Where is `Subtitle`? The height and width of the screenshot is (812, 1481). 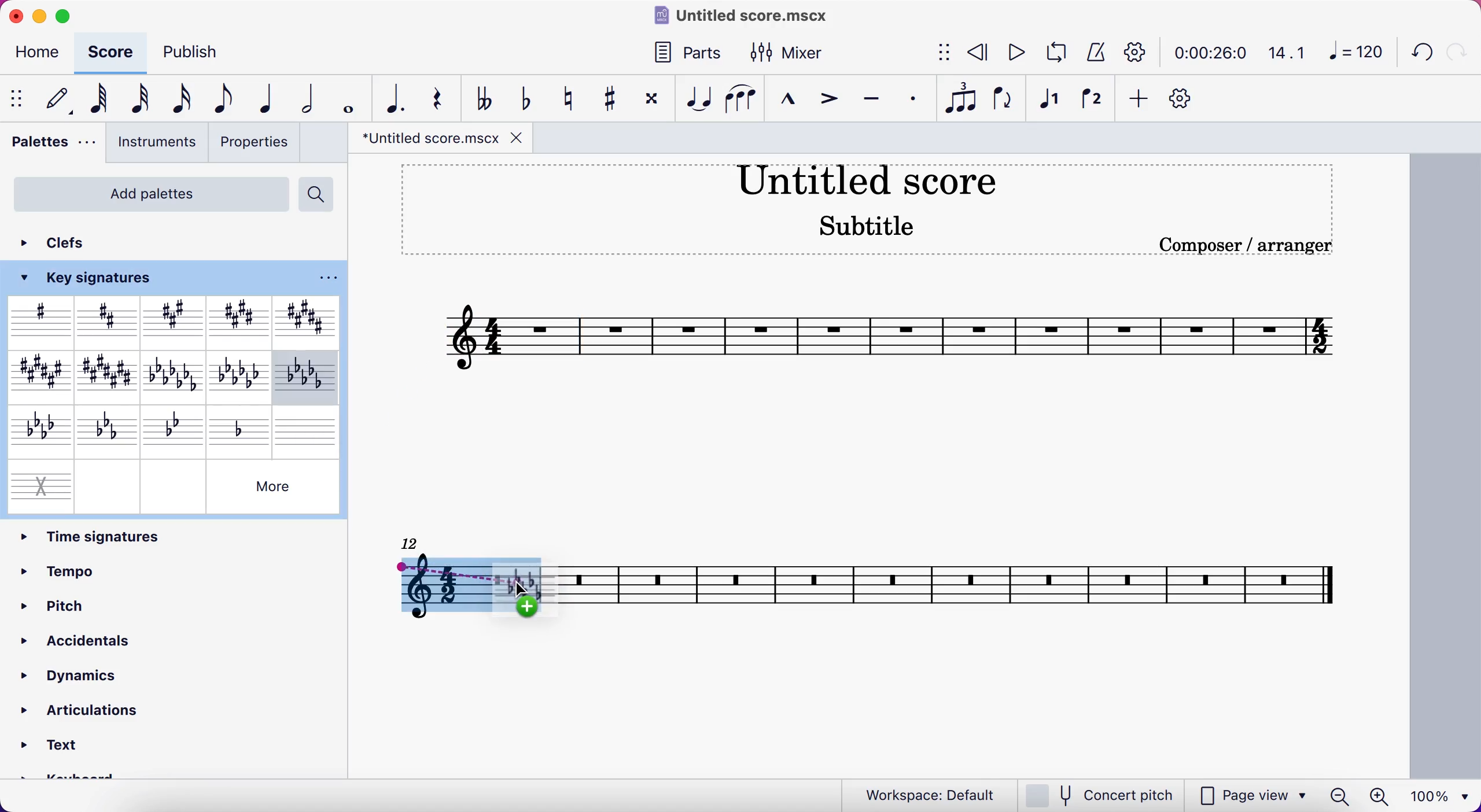 Subtitle is located at coordinates (853, 226).